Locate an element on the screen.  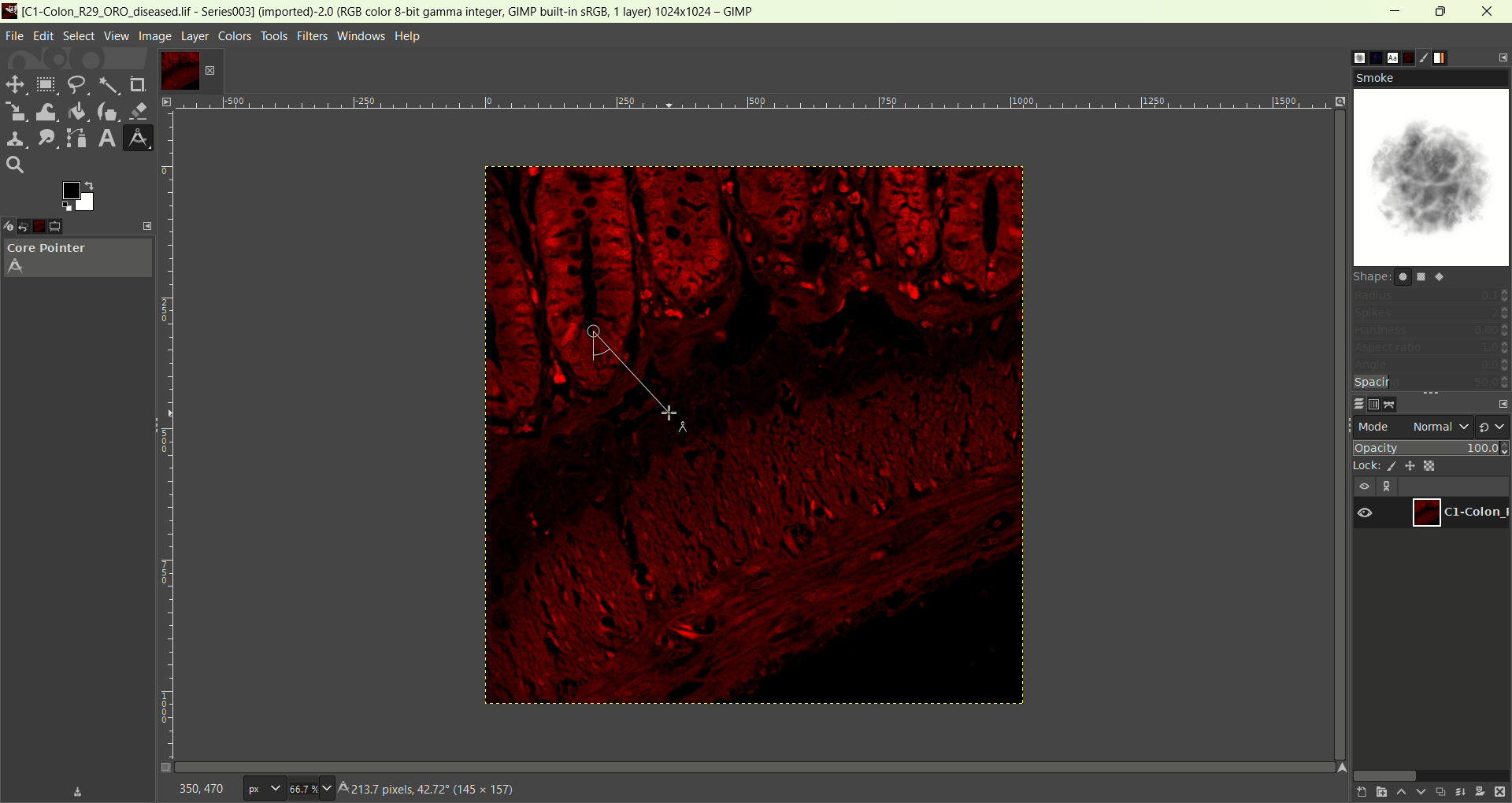
images is located at coordinates (49, 227).